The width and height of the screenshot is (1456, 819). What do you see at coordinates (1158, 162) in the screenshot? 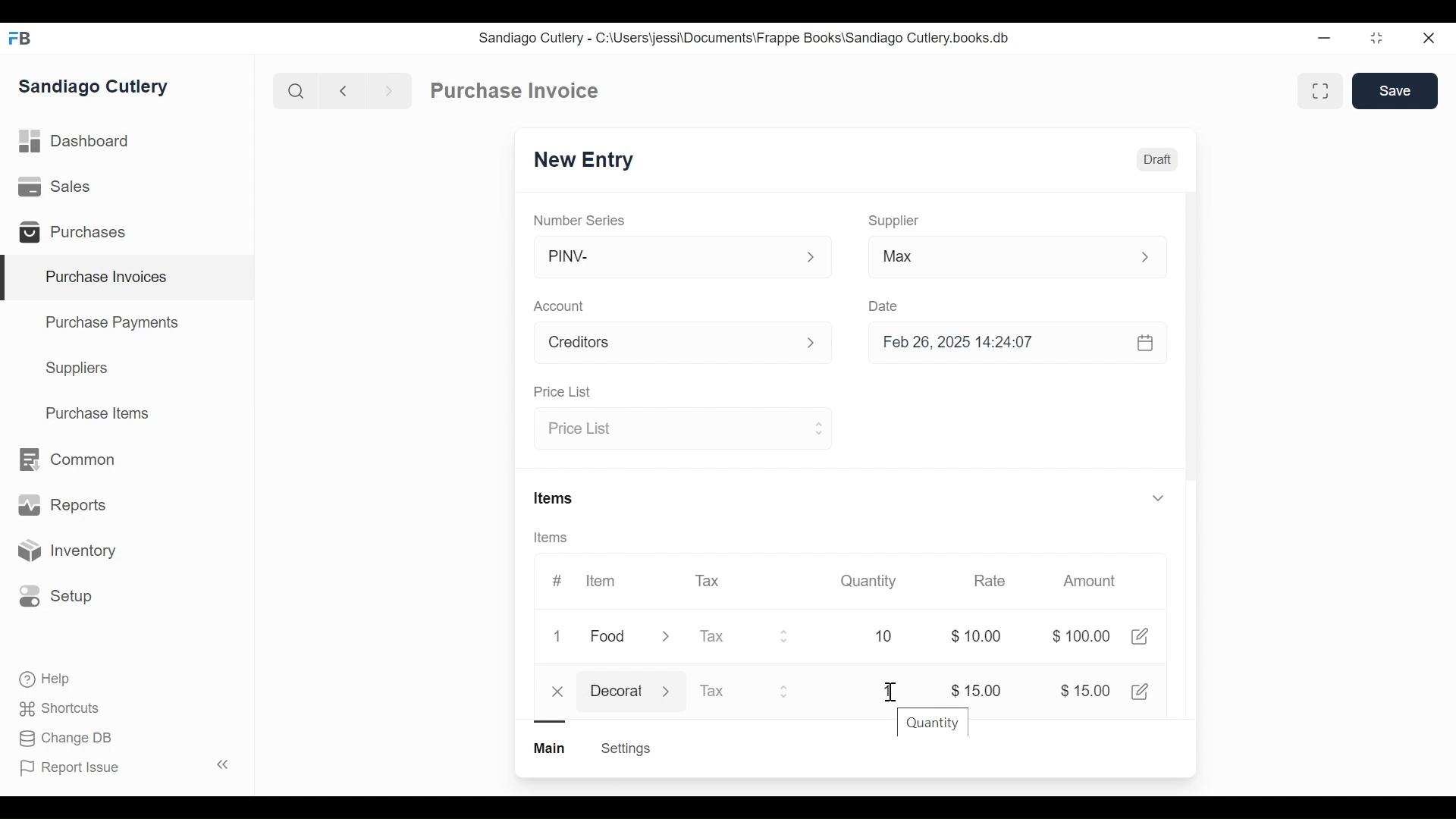
I see `Draft` at bounding box center [1158, 162].